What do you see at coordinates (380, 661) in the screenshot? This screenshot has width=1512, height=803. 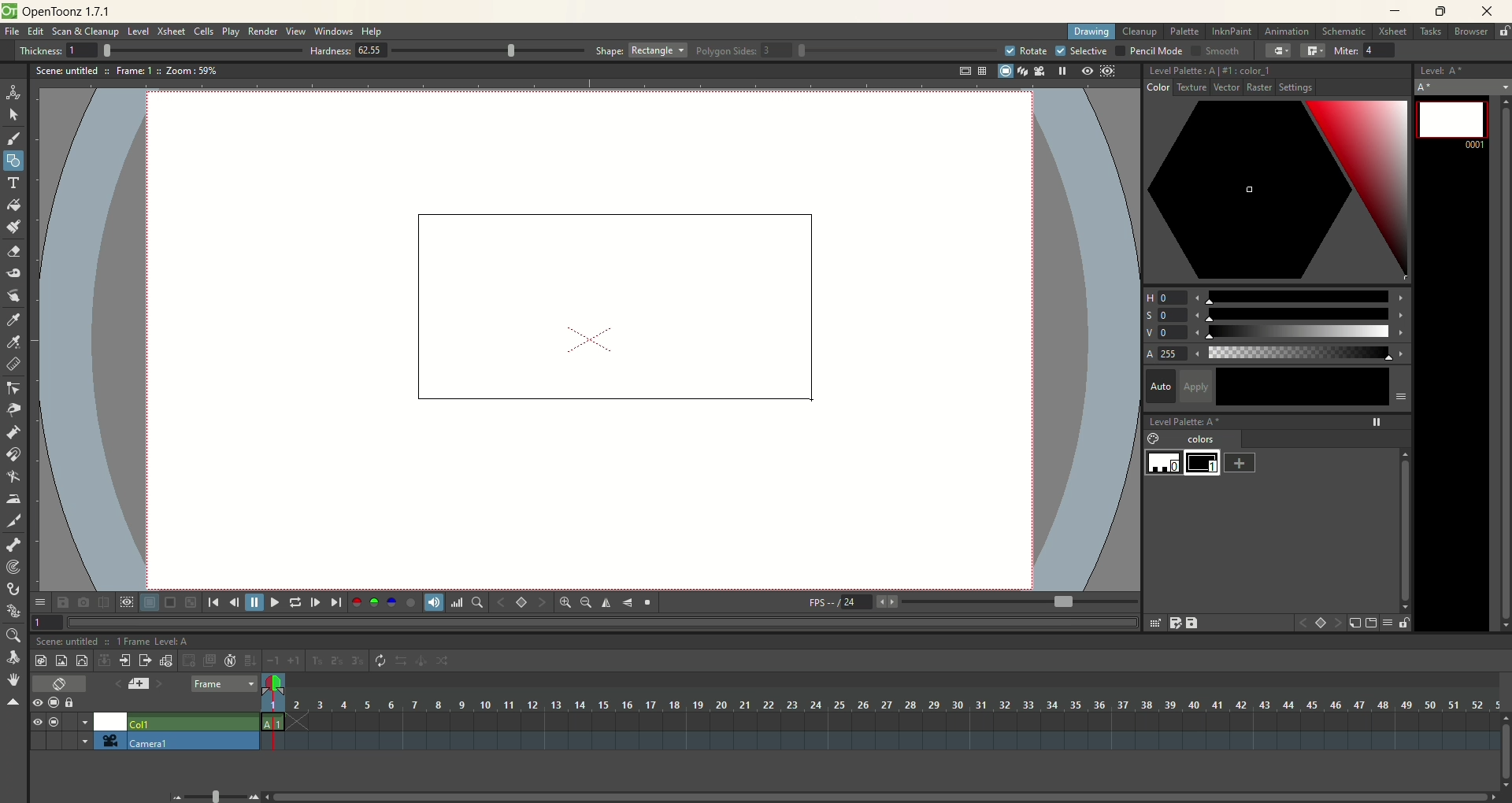 I see `repeat` at bounding box center [380, 661].